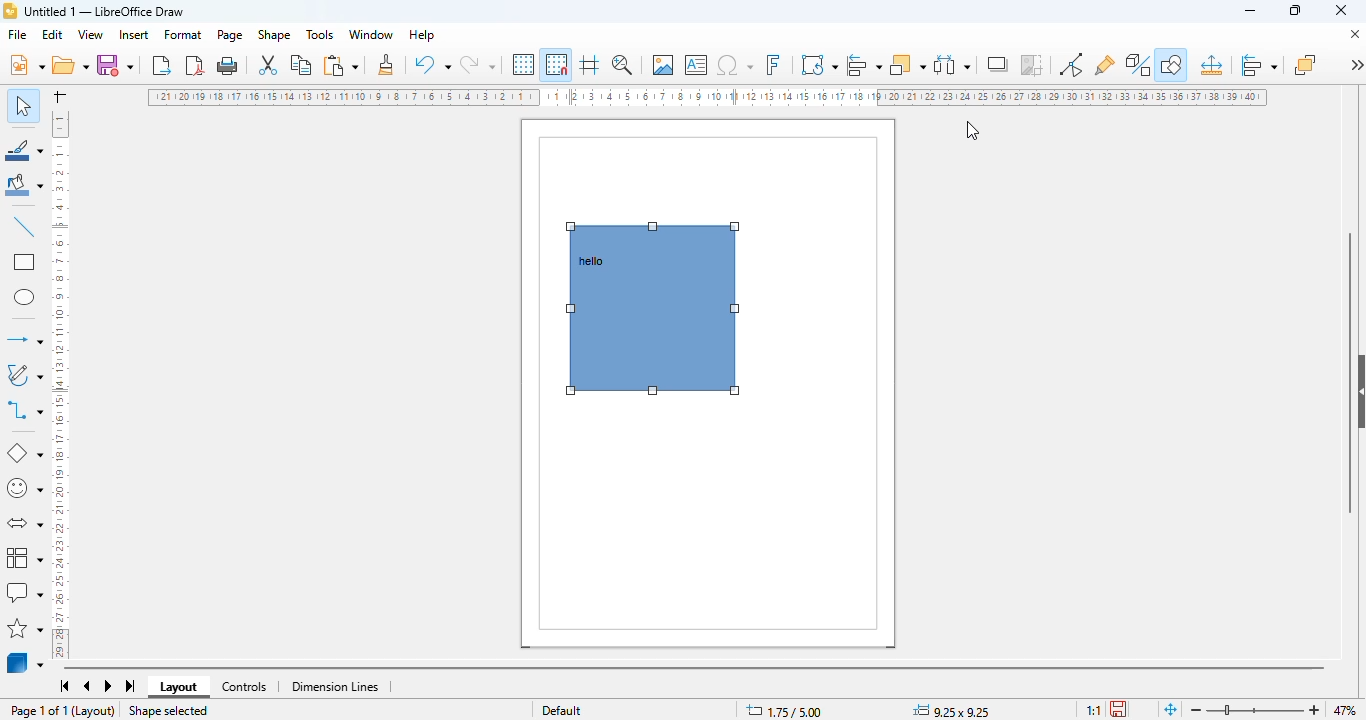 The height and width of the screenshot is (720, 1366). What do you see at coordinates (24, 226) in the screenshot?
I see `insert line` at bounding box center [24, 226].